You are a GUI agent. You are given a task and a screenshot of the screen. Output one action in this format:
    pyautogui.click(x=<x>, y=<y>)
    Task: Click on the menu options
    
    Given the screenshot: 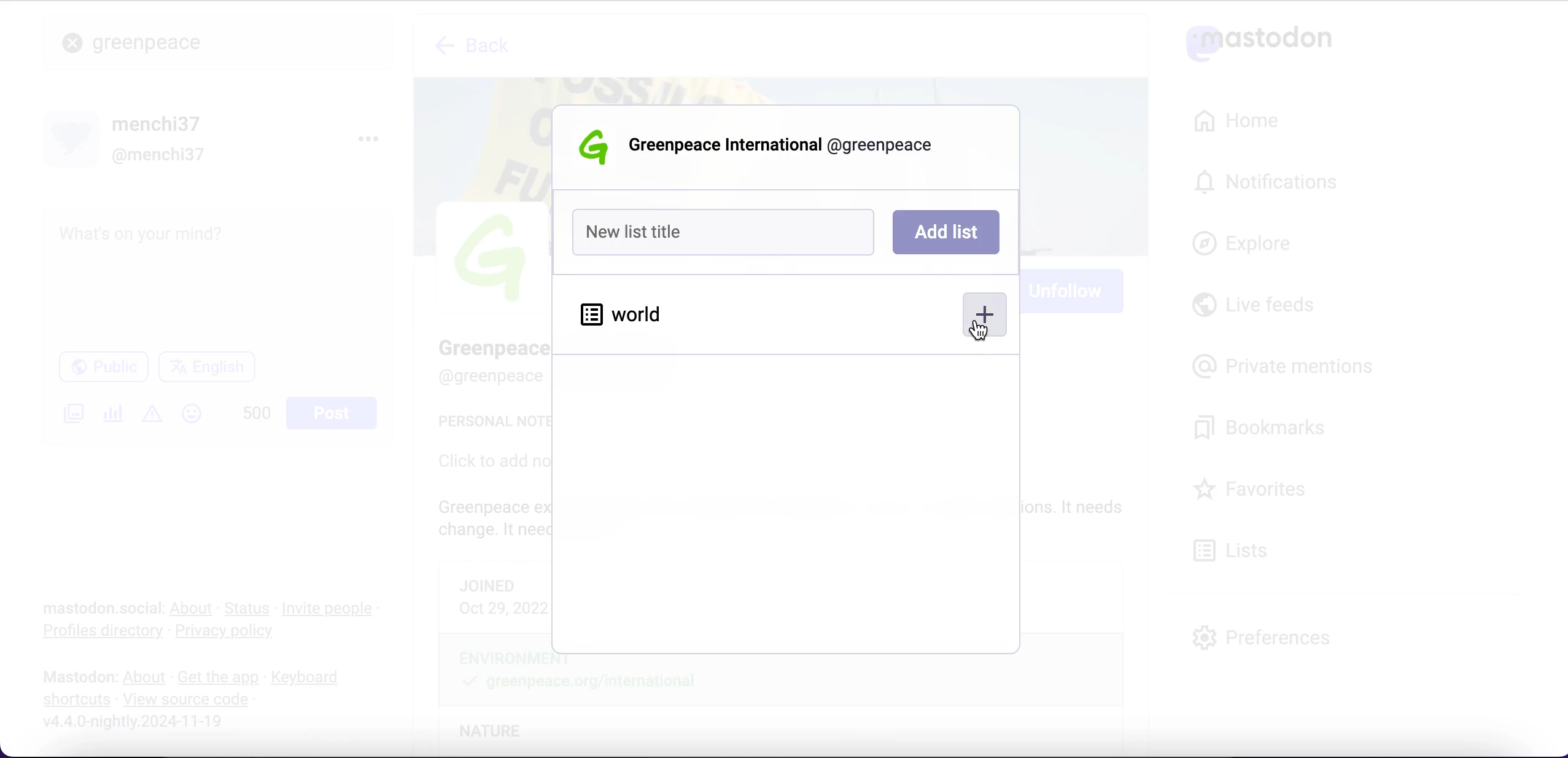 What is the action you would take?
    pyautogui.click(x=373, y=138)
    